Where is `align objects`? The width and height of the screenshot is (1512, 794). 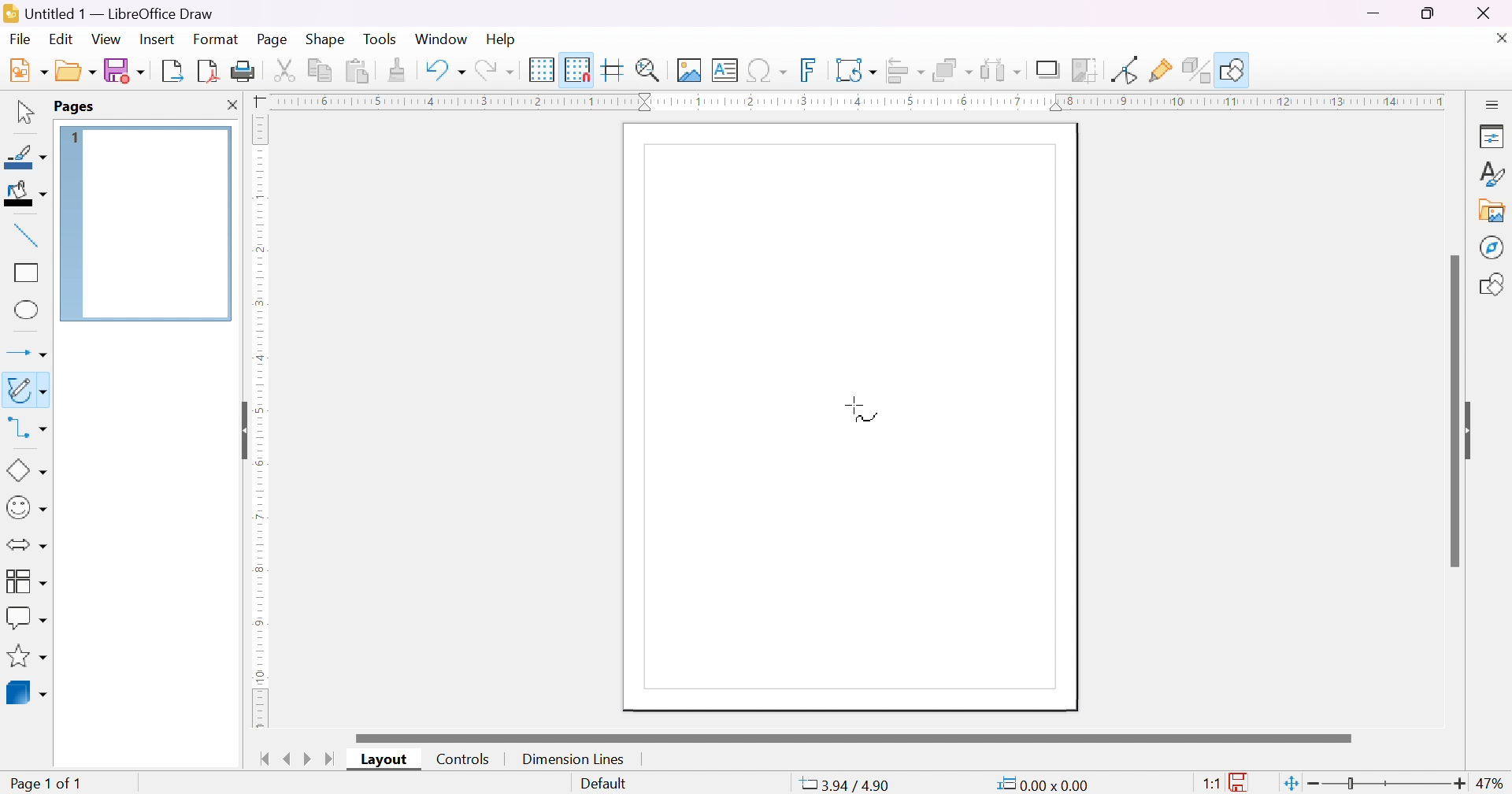
align objects is located at coordinates (903, 72).